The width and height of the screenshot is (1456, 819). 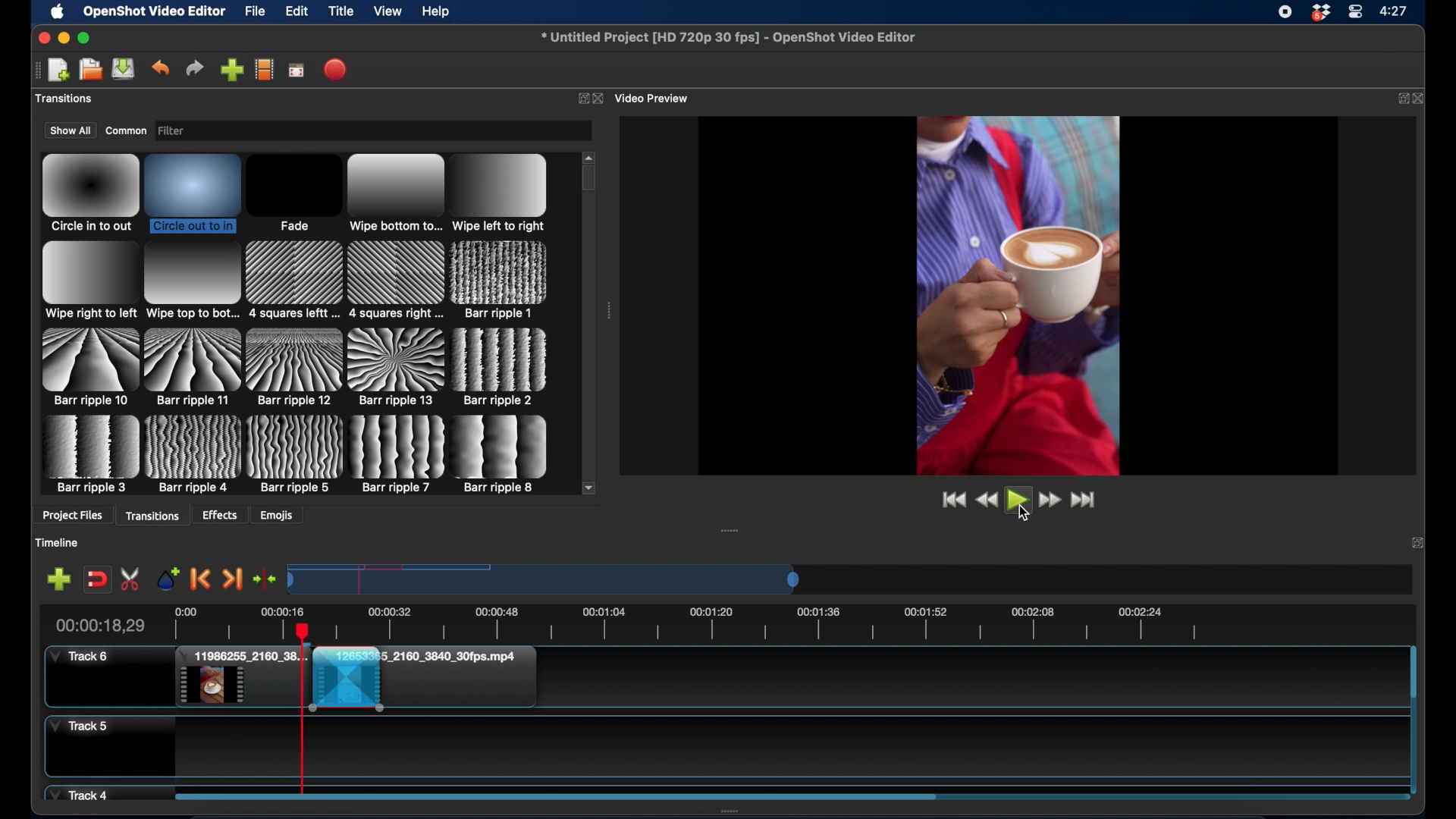 I want to click on transition, so click(x=88, y=366).